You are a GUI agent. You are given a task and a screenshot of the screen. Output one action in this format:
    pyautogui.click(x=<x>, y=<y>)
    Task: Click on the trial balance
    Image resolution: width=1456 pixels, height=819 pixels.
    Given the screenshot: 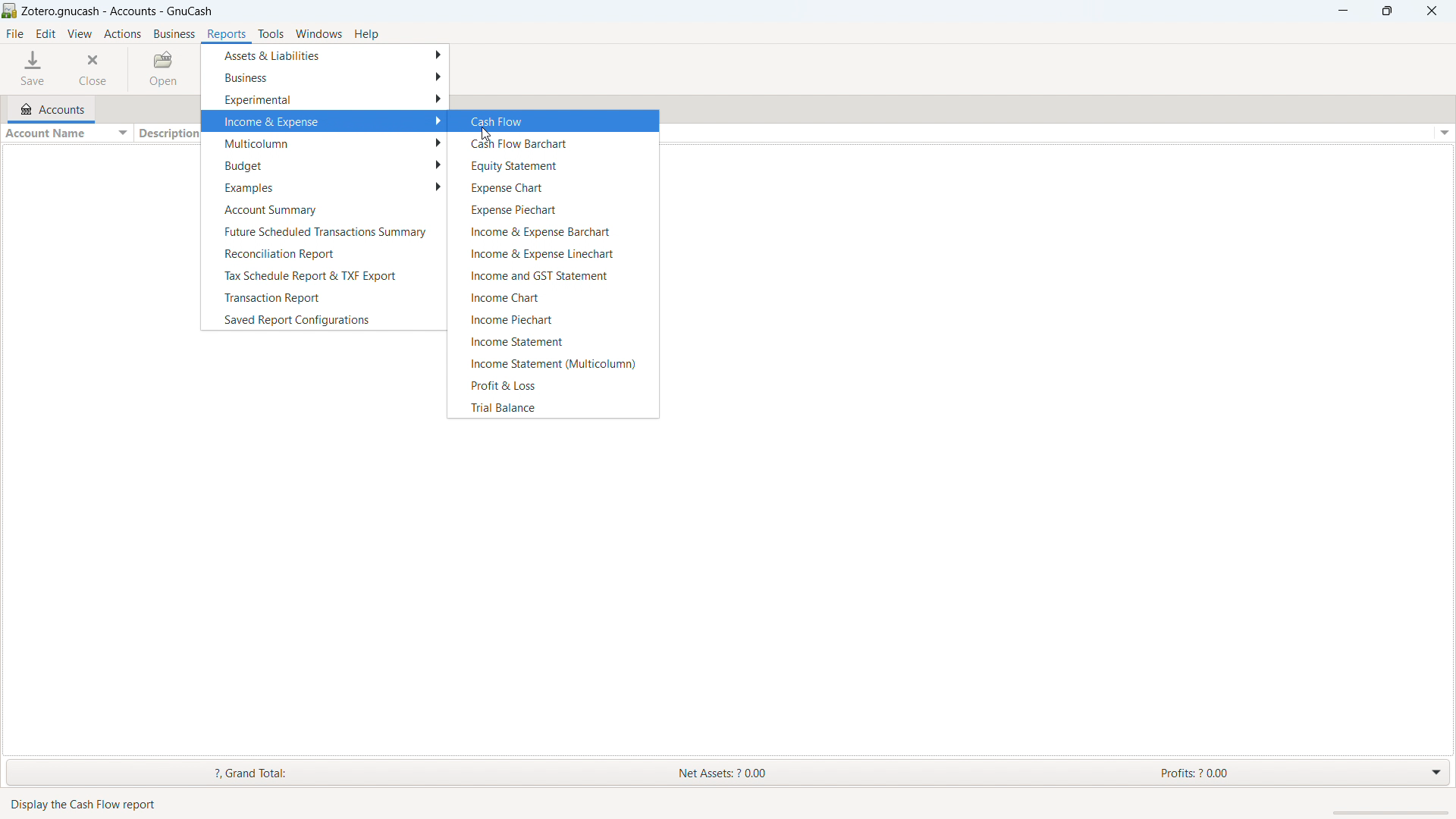 What is the action you would take?
    pyautogui.click(x=552, y=407)
    